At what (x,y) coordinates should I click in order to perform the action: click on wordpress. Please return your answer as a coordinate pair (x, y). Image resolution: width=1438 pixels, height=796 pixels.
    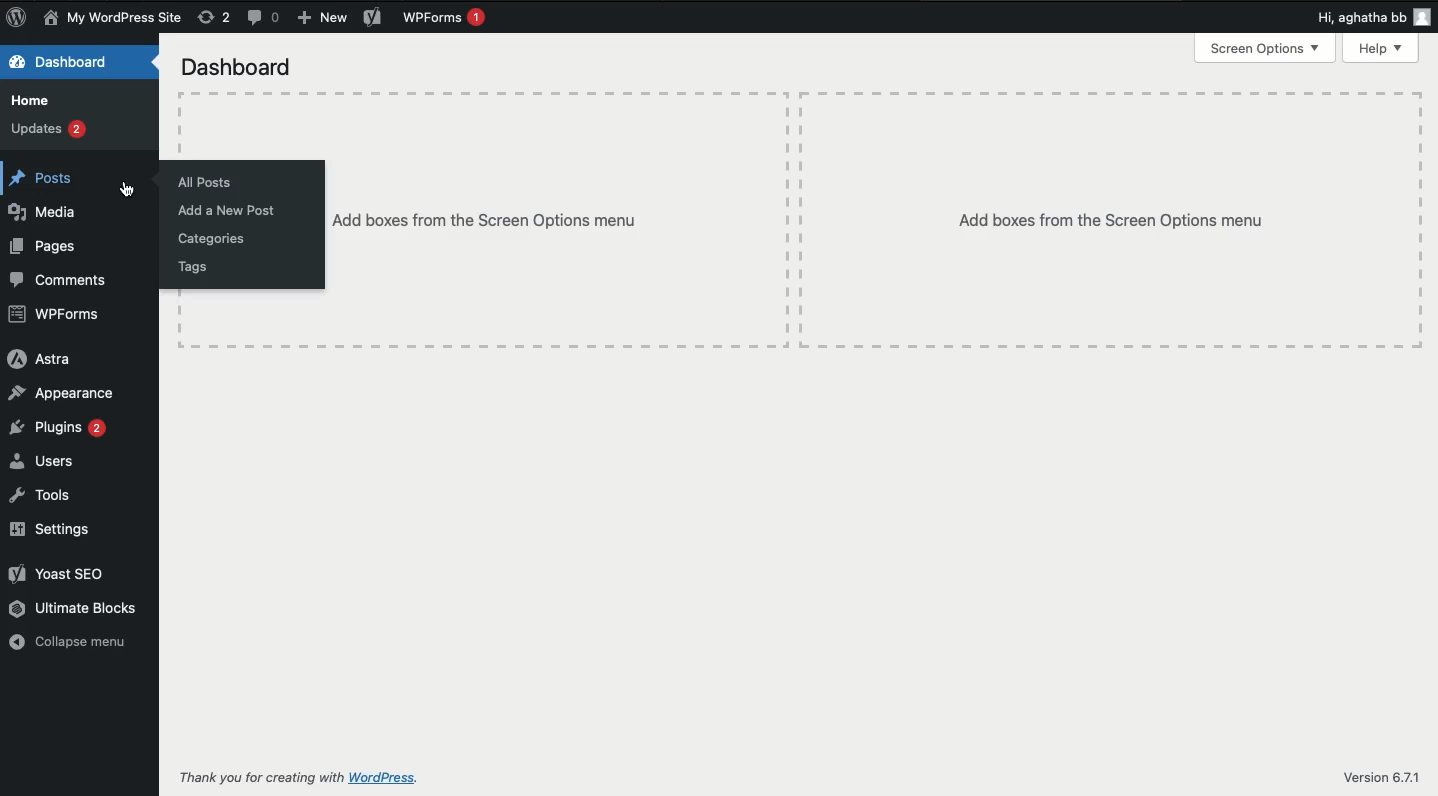
    Looking at the image, I should click on (386, 778).